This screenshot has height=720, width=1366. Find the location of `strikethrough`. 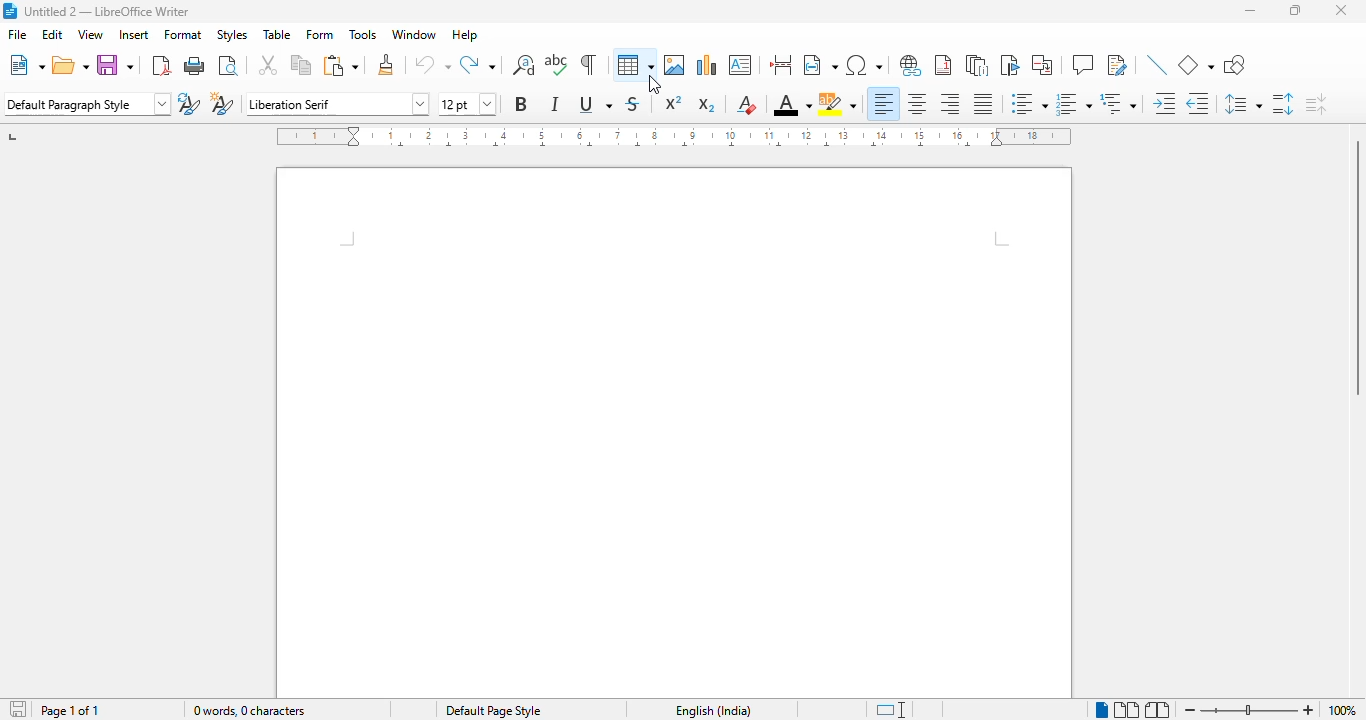

strikethrough is located at coordinates (633, 104).